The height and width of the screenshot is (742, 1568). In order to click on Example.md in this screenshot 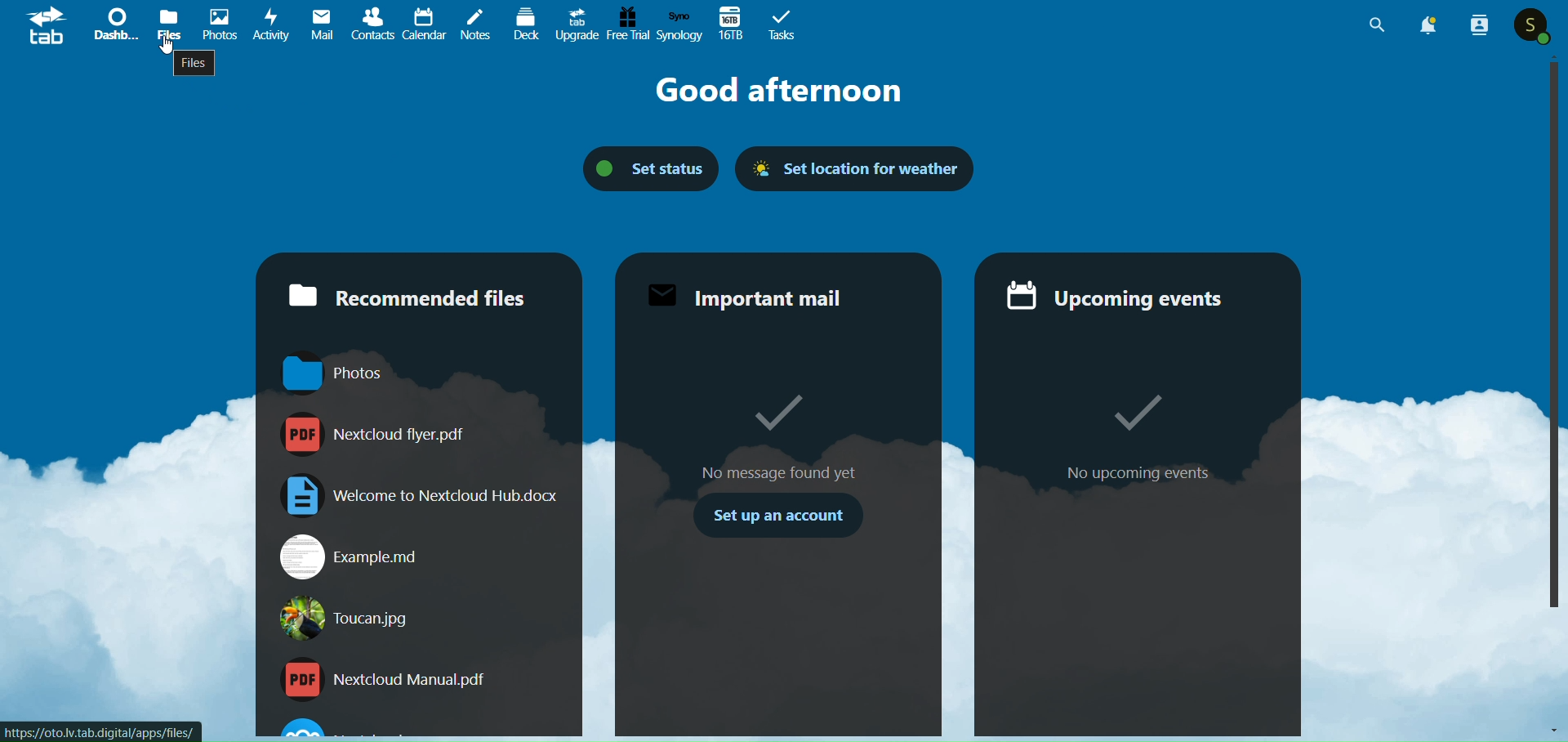, I will do `click(421, 557)`.